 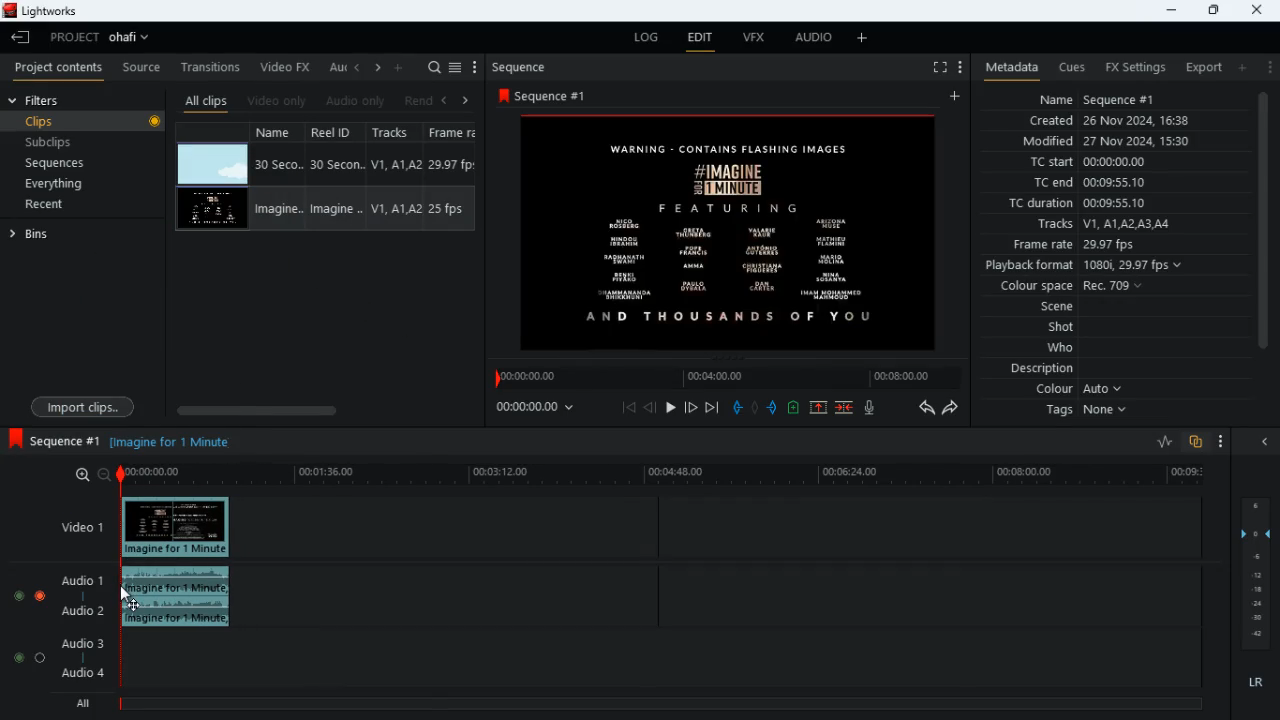 I want to click on audio 4, so click(x=81, y=676).